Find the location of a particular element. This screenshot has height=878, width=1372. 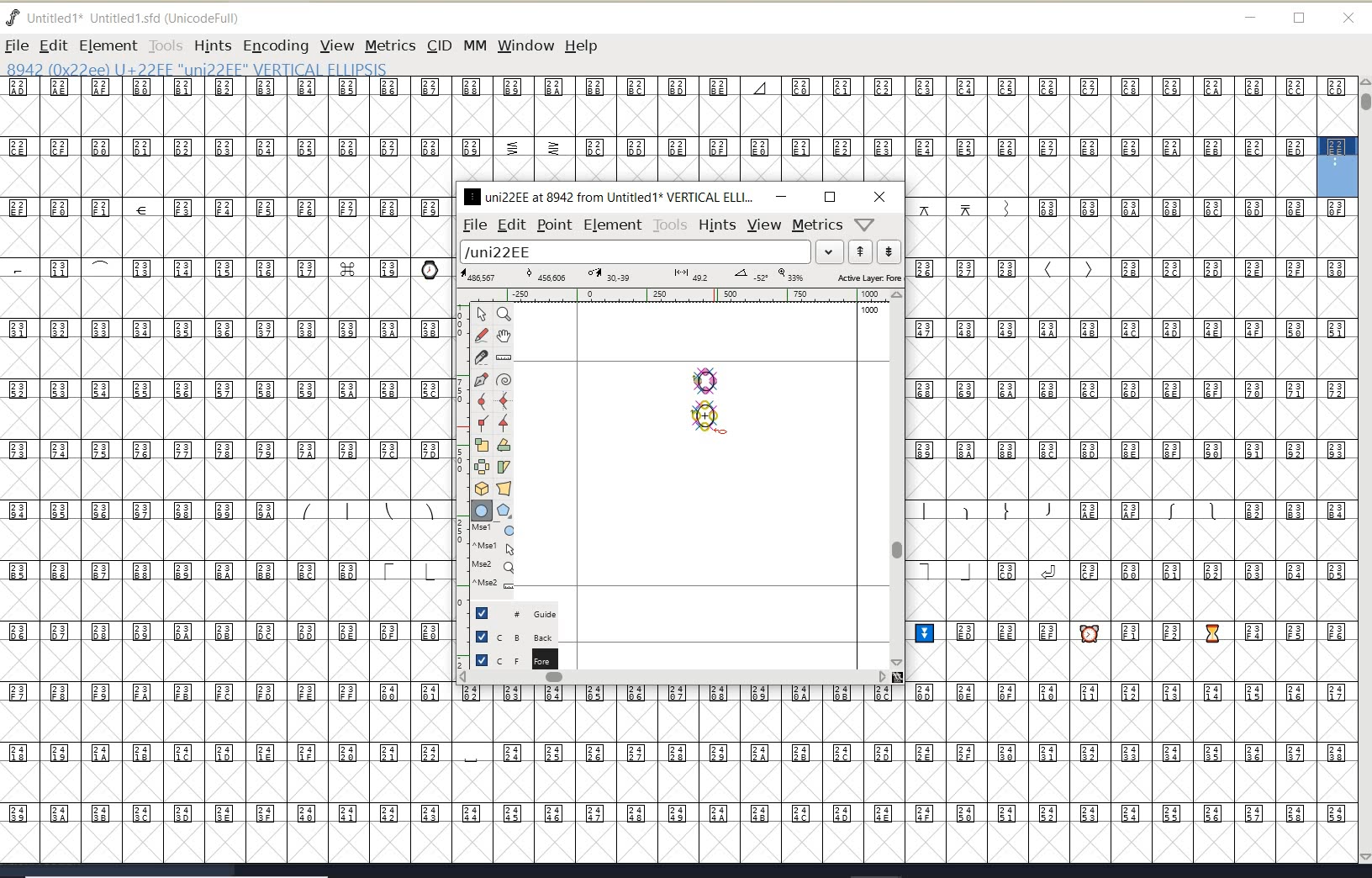

HINTS is located at coordinates (212, 46).